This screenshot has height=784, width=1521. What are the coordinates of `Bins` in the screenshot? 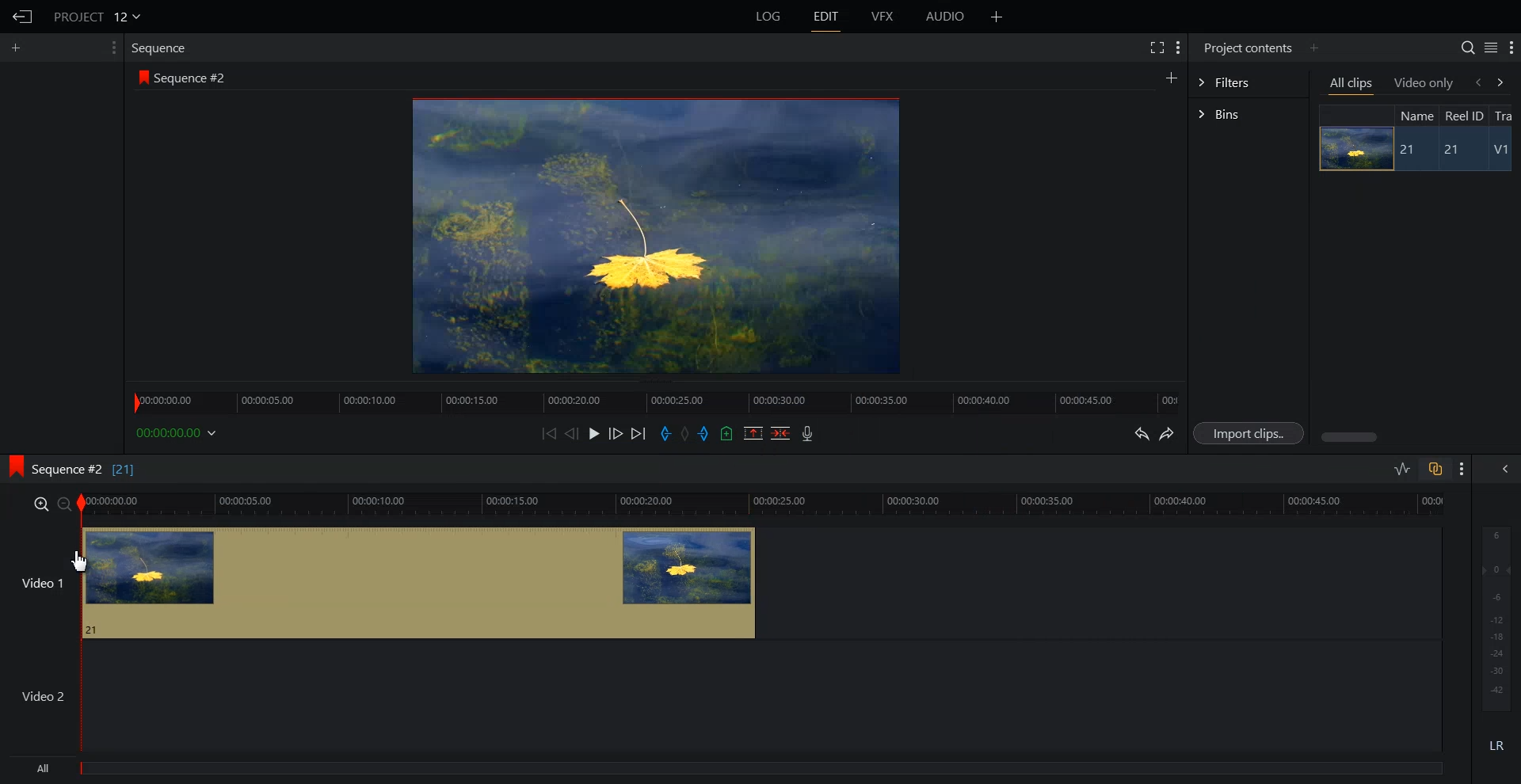 It's located at (1248, 116).